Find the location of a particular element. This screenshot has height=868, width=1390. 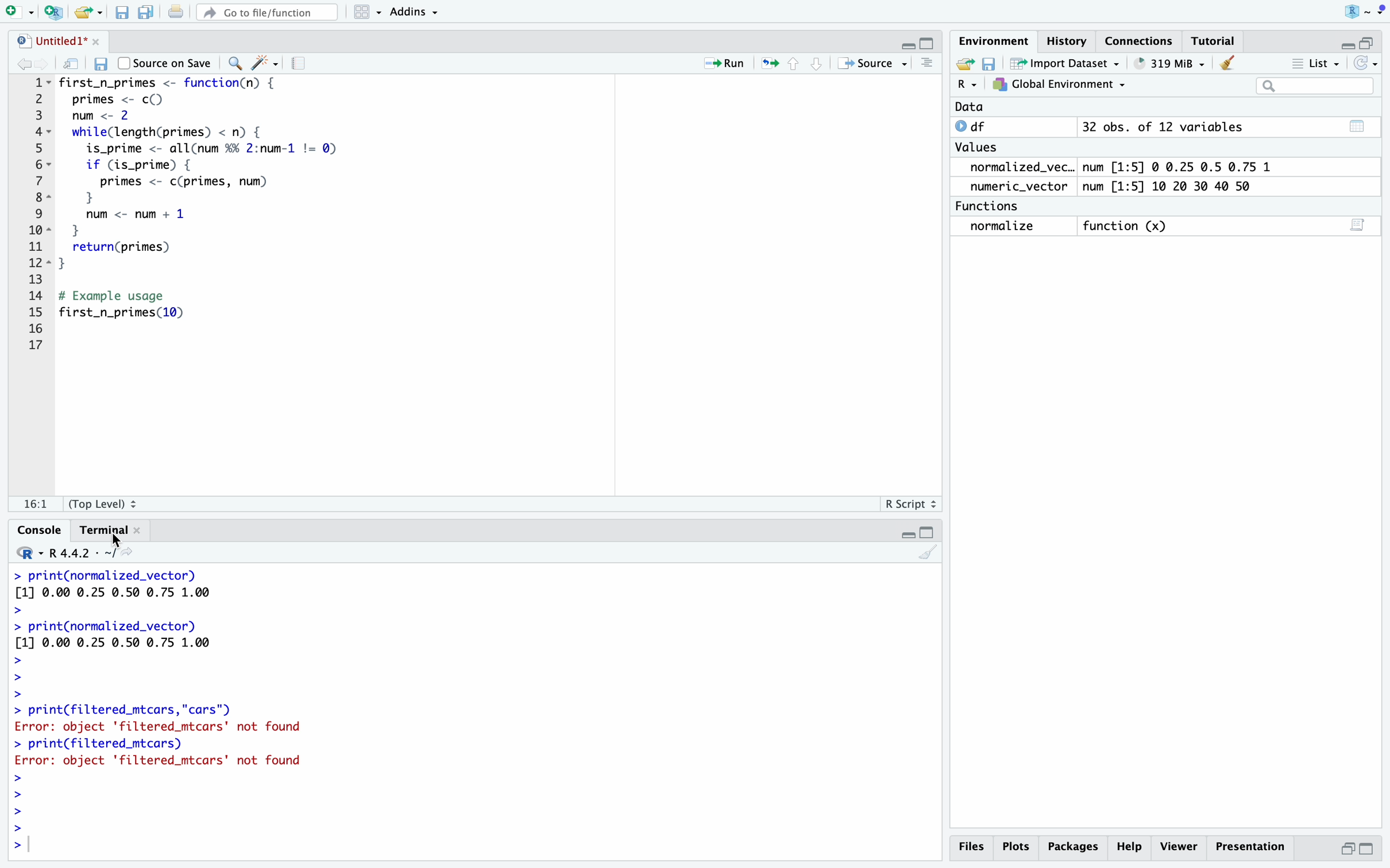

normalize function (x) 3 is located at coordinates (1167, 228).